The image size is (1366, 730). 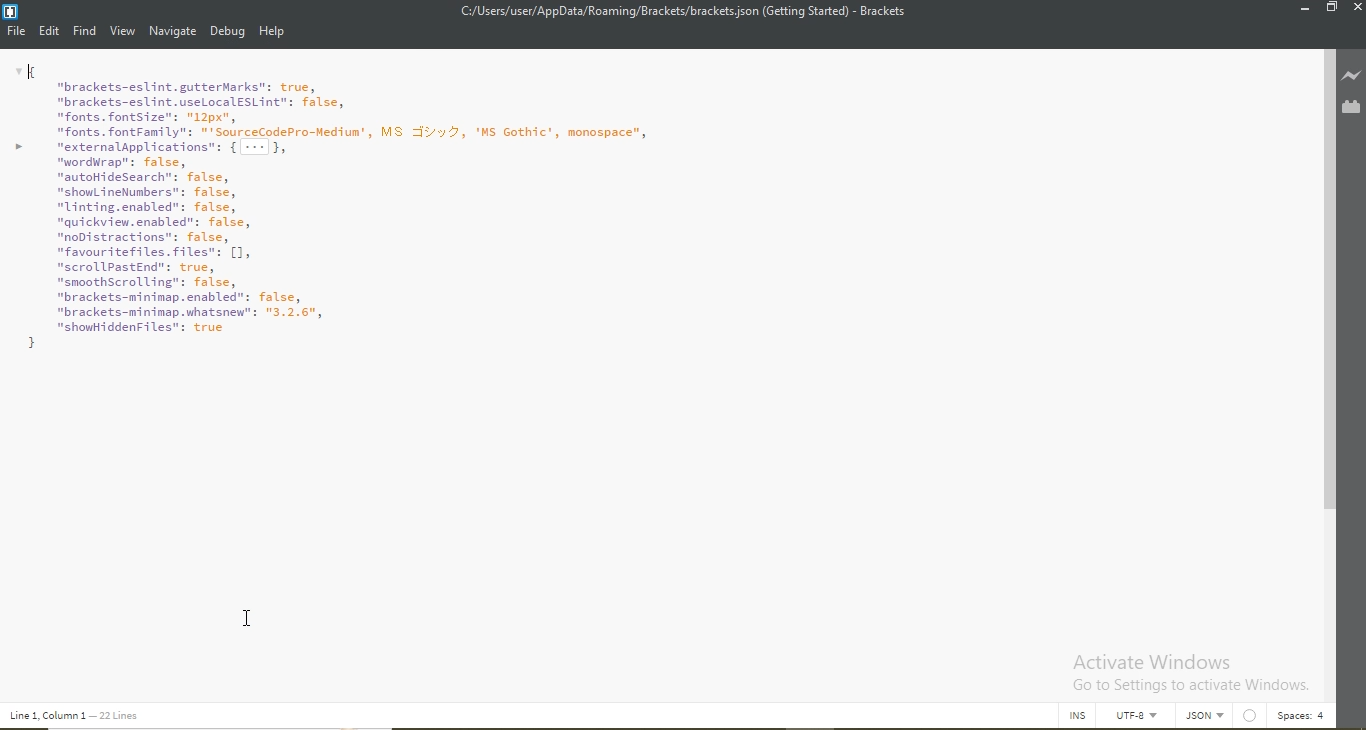 I want to click on cursor, so click(x=247, y=614).